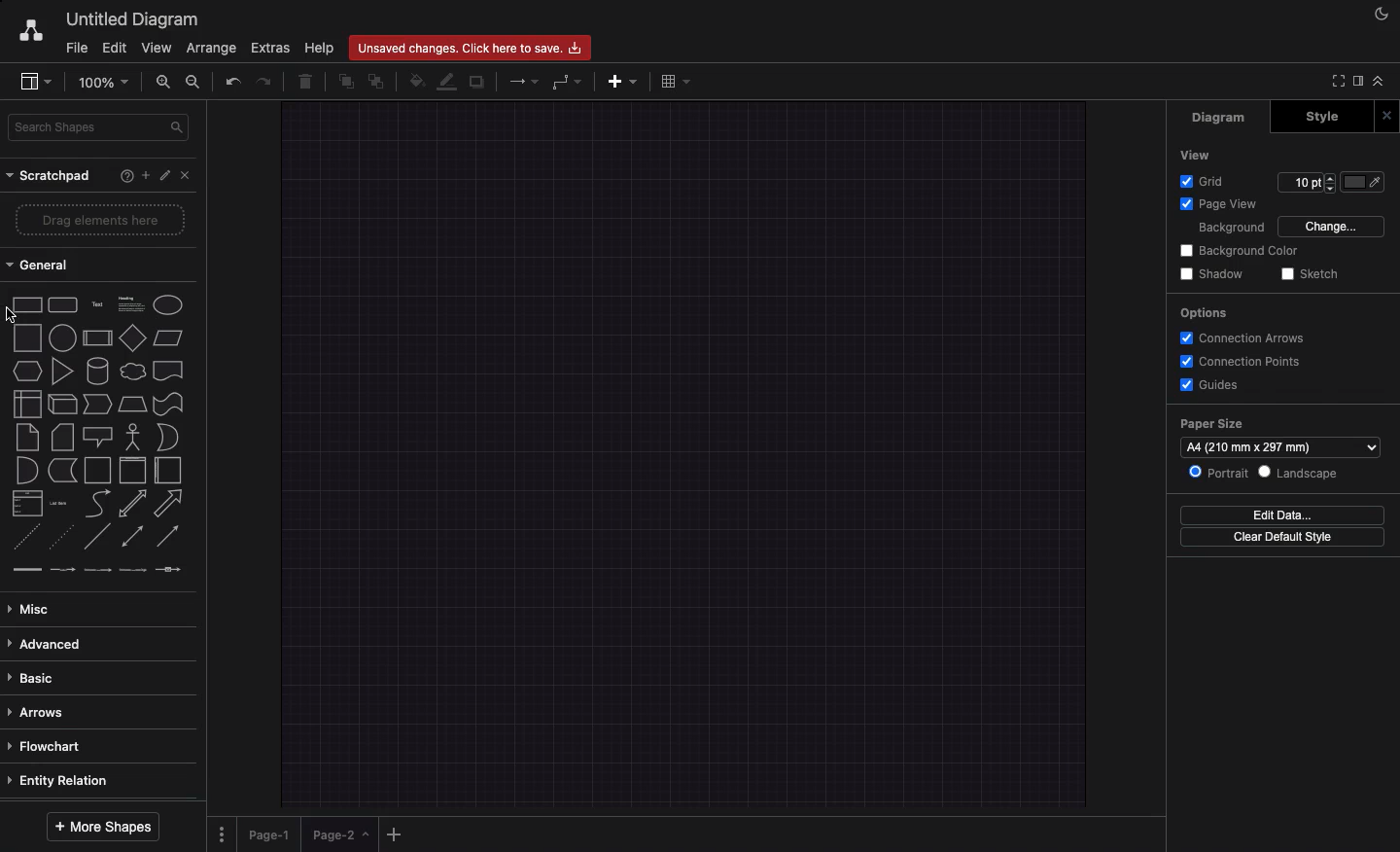 The width and height of the screenshot is (1400, 852). What do you see at coordinates (26, 471) in the screenshot?
I see `and` at bounding box center [26, 471].